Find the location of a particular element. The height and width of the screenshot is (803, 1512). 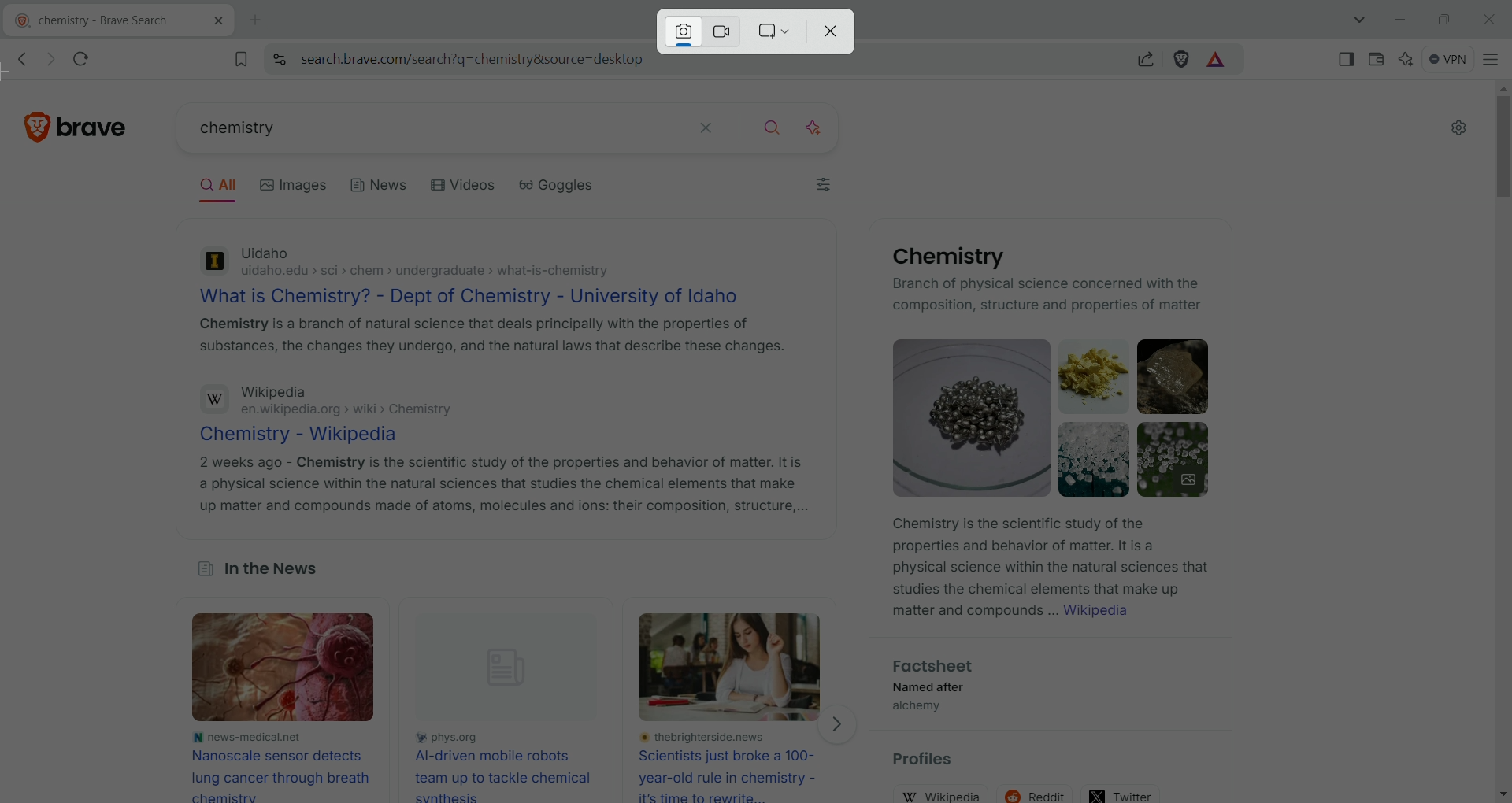

brave logo is located at coordinates (39, 124).